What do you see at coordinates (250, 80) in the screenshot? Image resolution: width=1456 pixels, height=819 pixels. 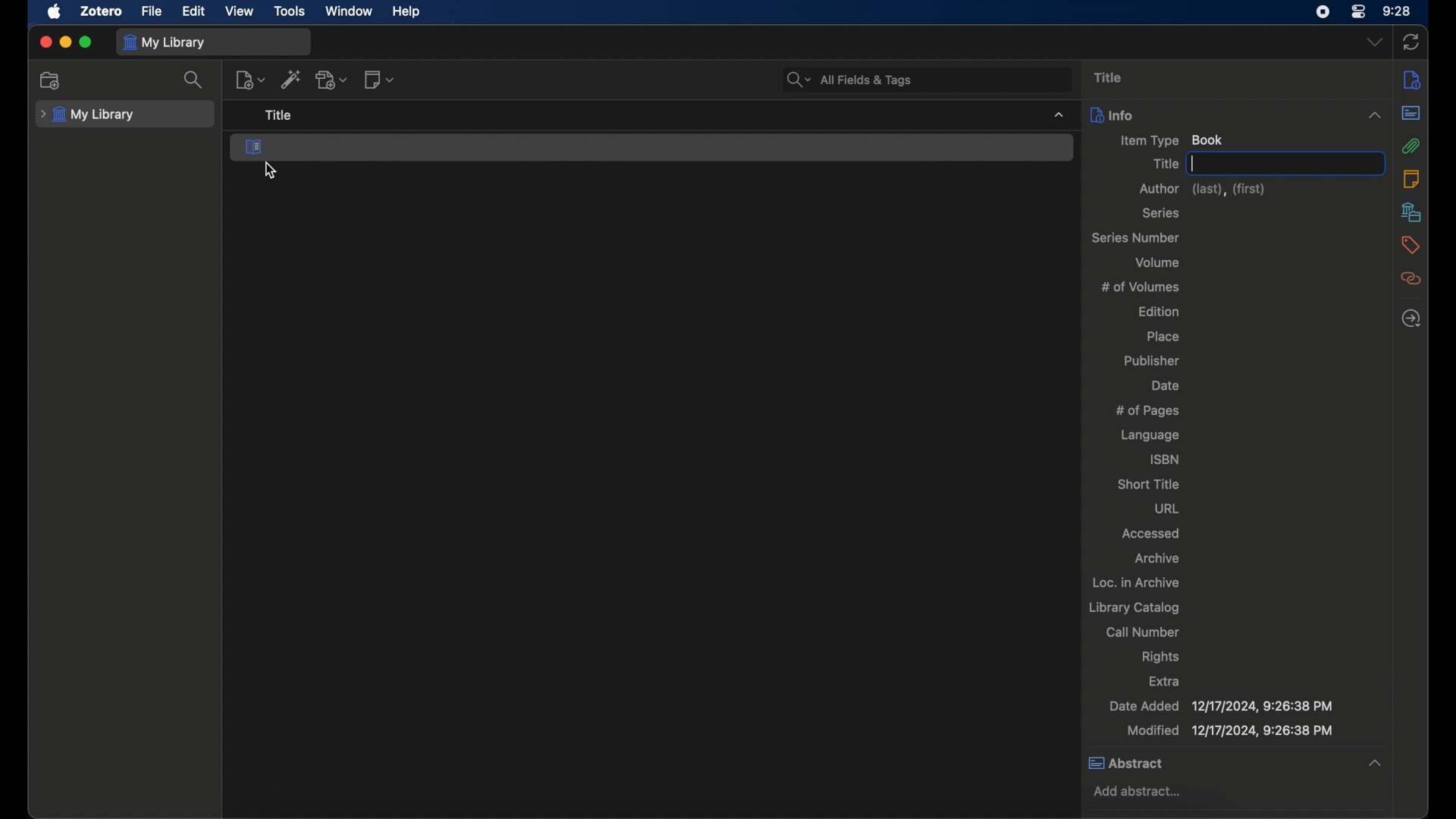 I see `new items` at bounding box center [250, 80].